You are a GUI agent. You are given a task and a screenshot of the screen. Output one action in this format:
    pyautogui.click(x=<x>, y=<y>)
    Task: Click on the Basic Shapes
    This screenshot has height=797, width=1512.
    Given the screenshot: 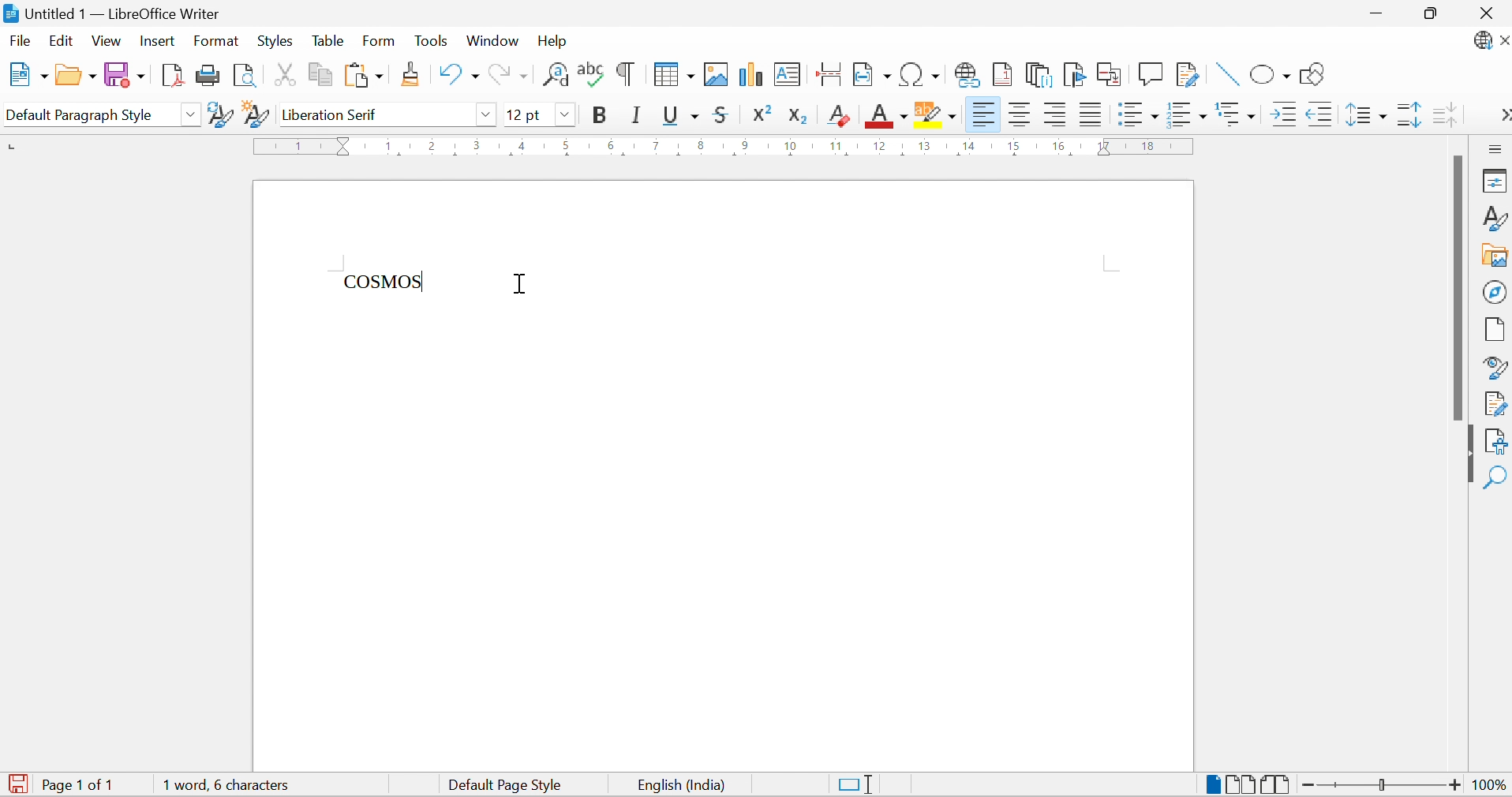 What is the action you would take?
    pyautogui.click(x=1271, y=76)
    